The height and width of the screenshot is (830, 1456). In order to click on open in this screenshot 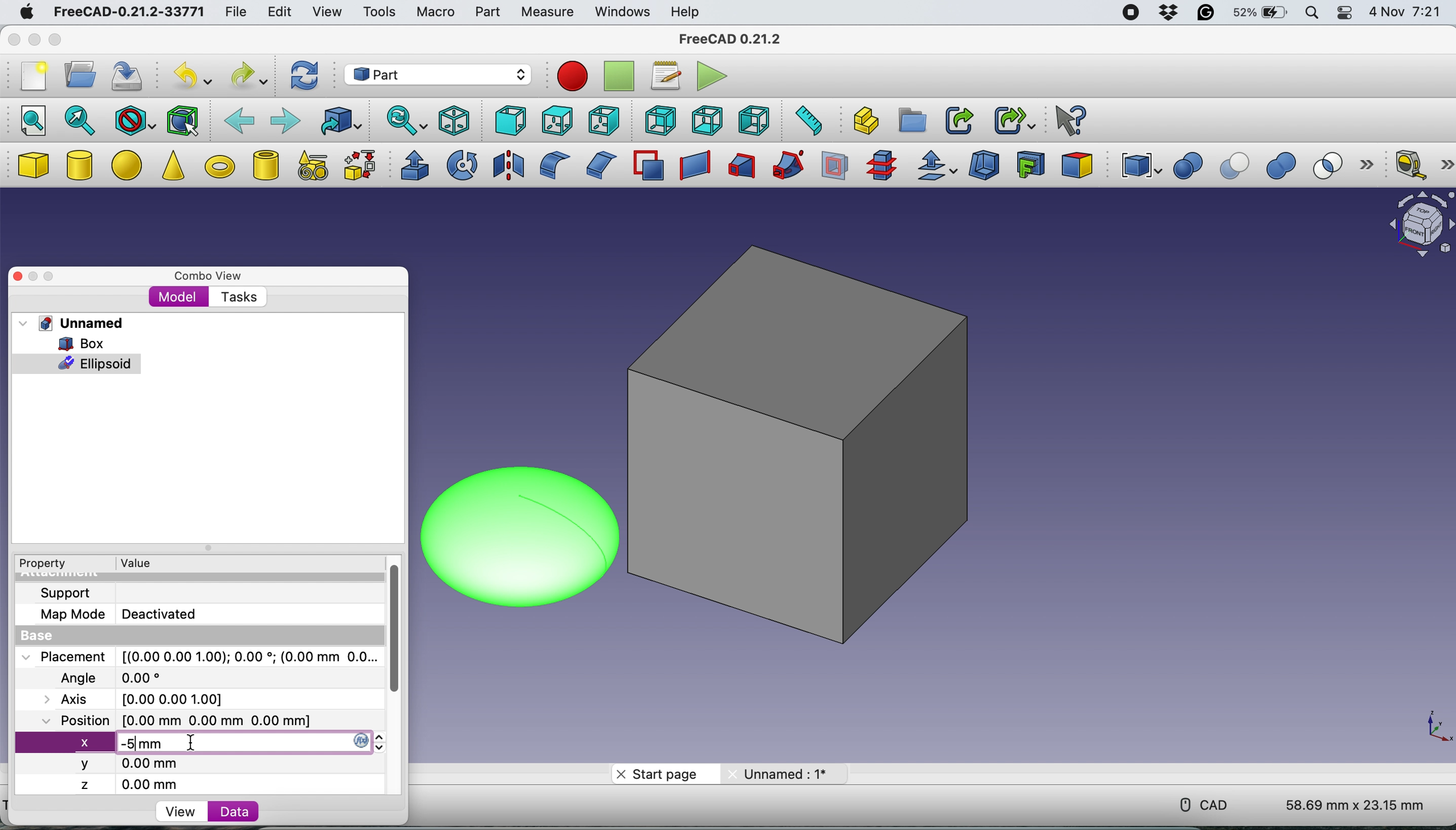, I will do `click(76, 75)`.